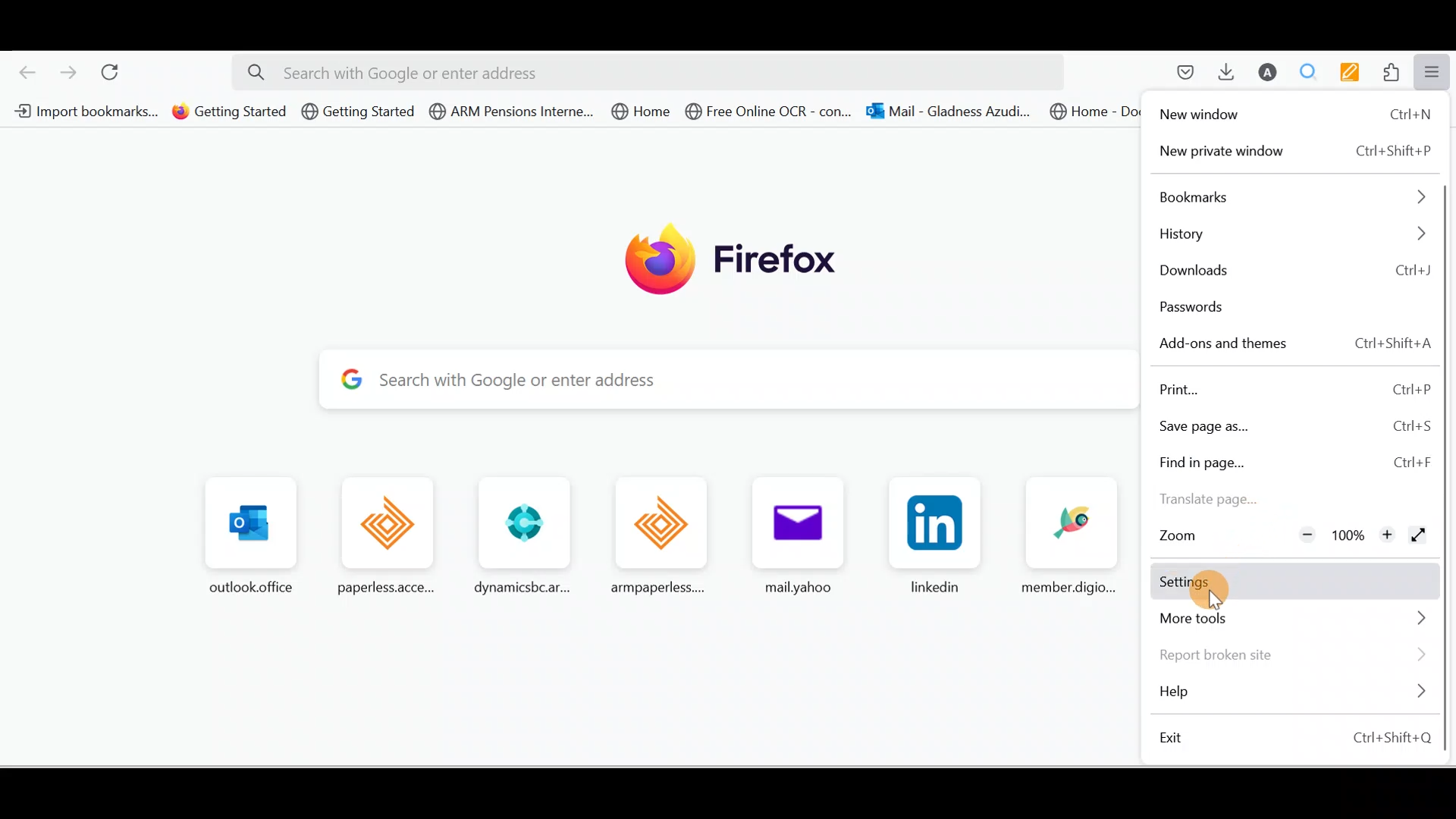  I want to click on Search with Google or enter address, so click(648, 73).